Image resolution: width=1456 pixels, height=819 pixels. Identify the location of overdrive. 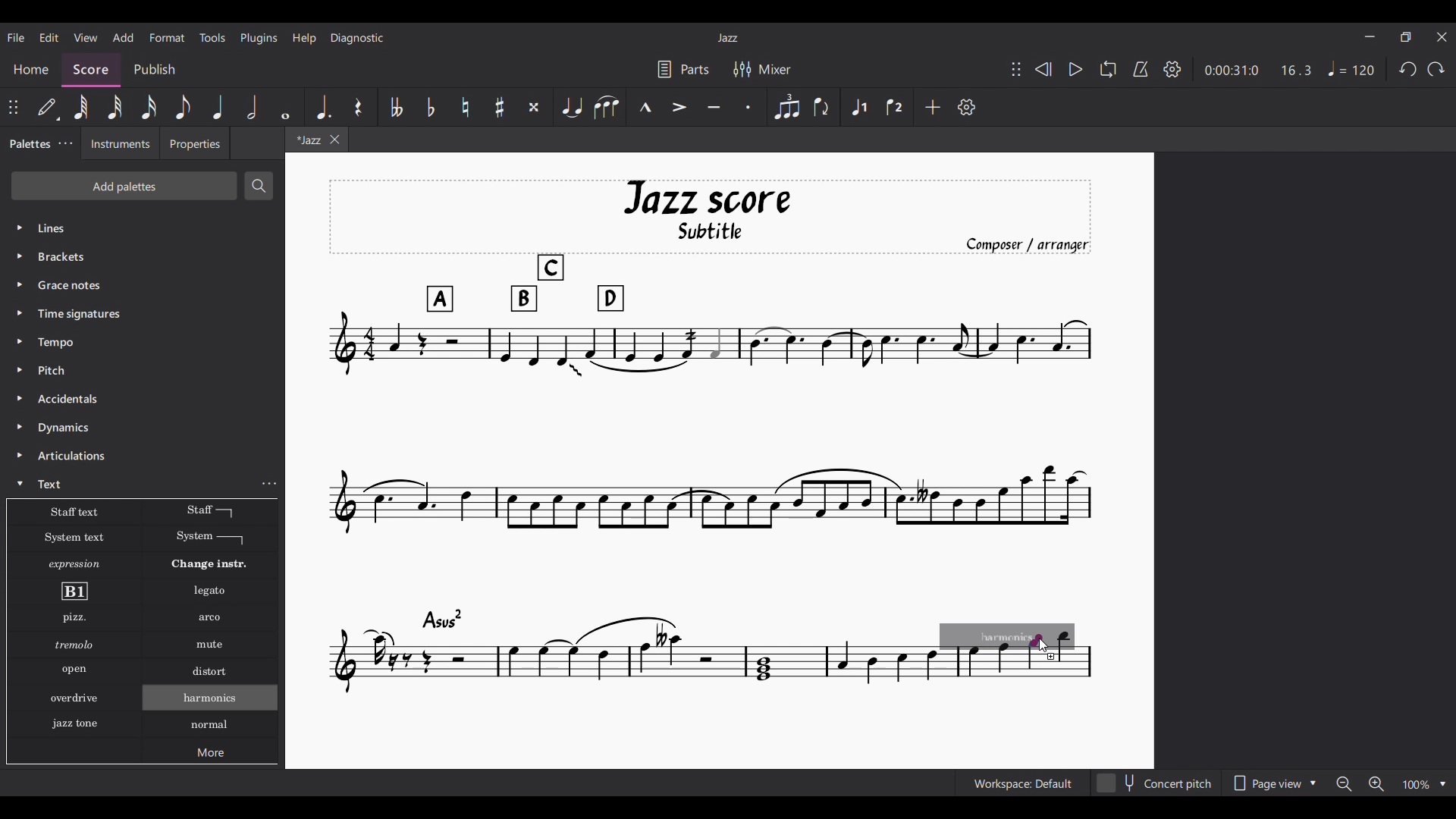
(75, 700).